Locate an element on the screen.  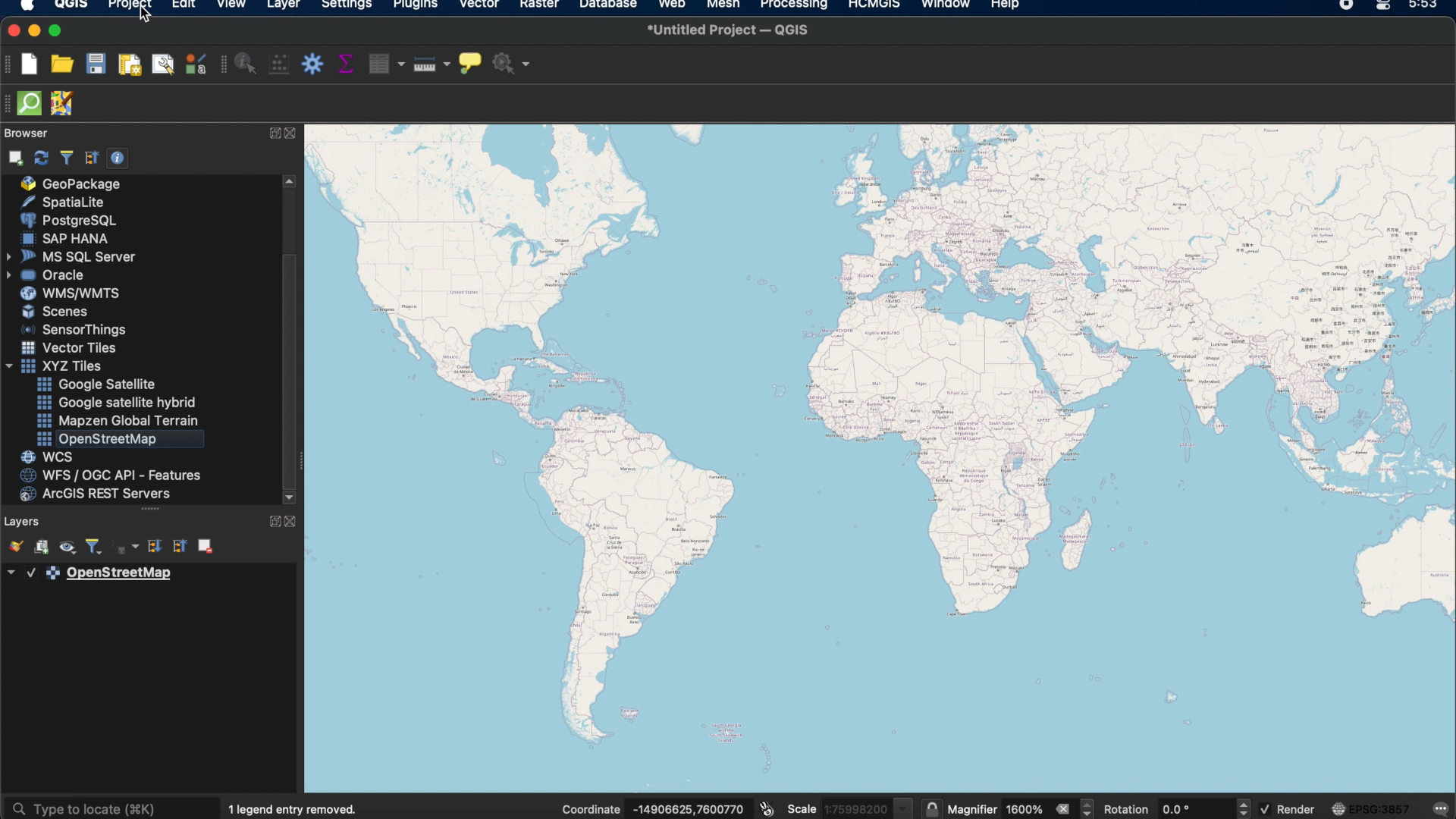
was/ogc api features is located at coordinates (113, 475).